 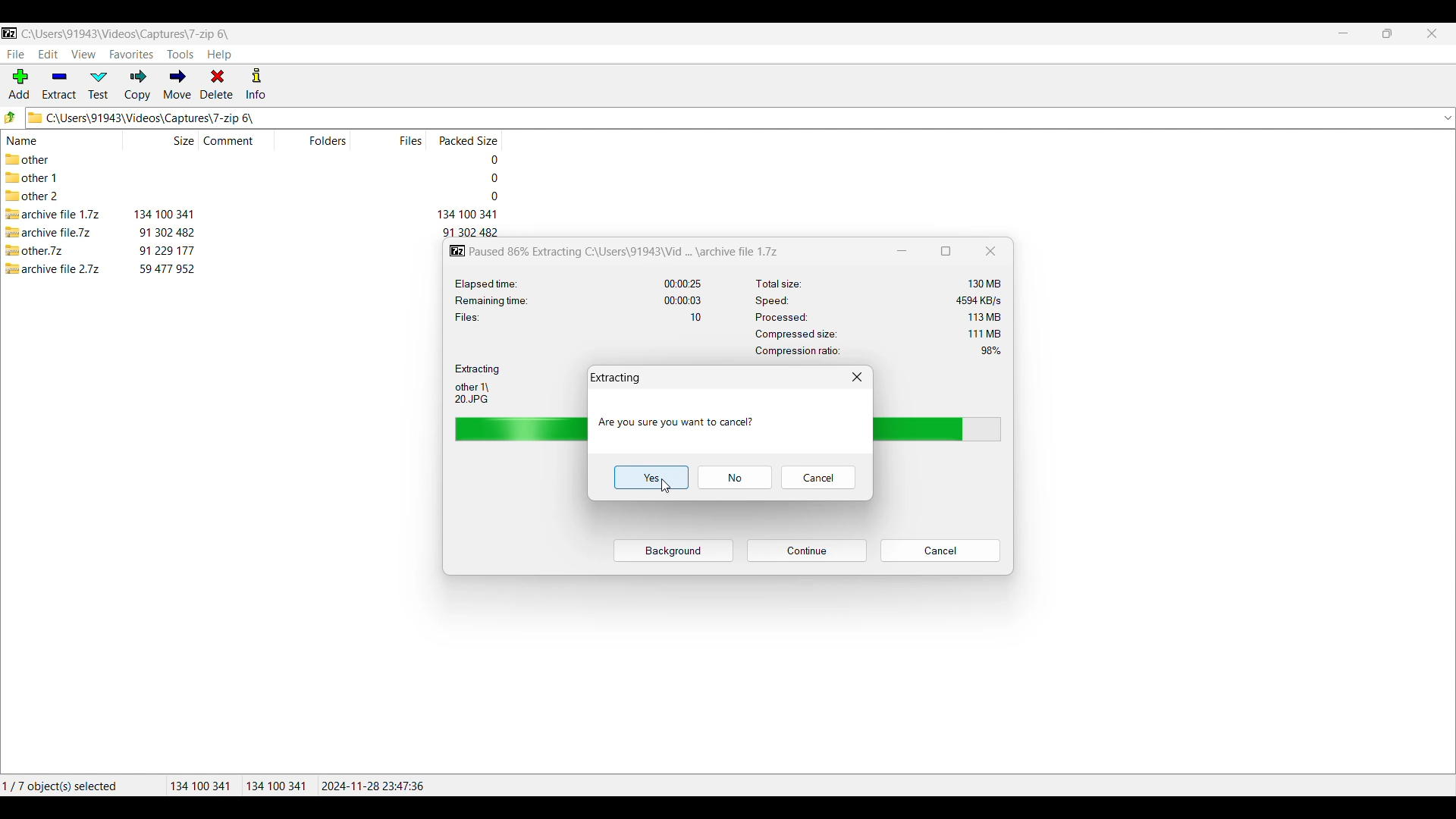 I want to click on Size column, so click(x=176, y=140).